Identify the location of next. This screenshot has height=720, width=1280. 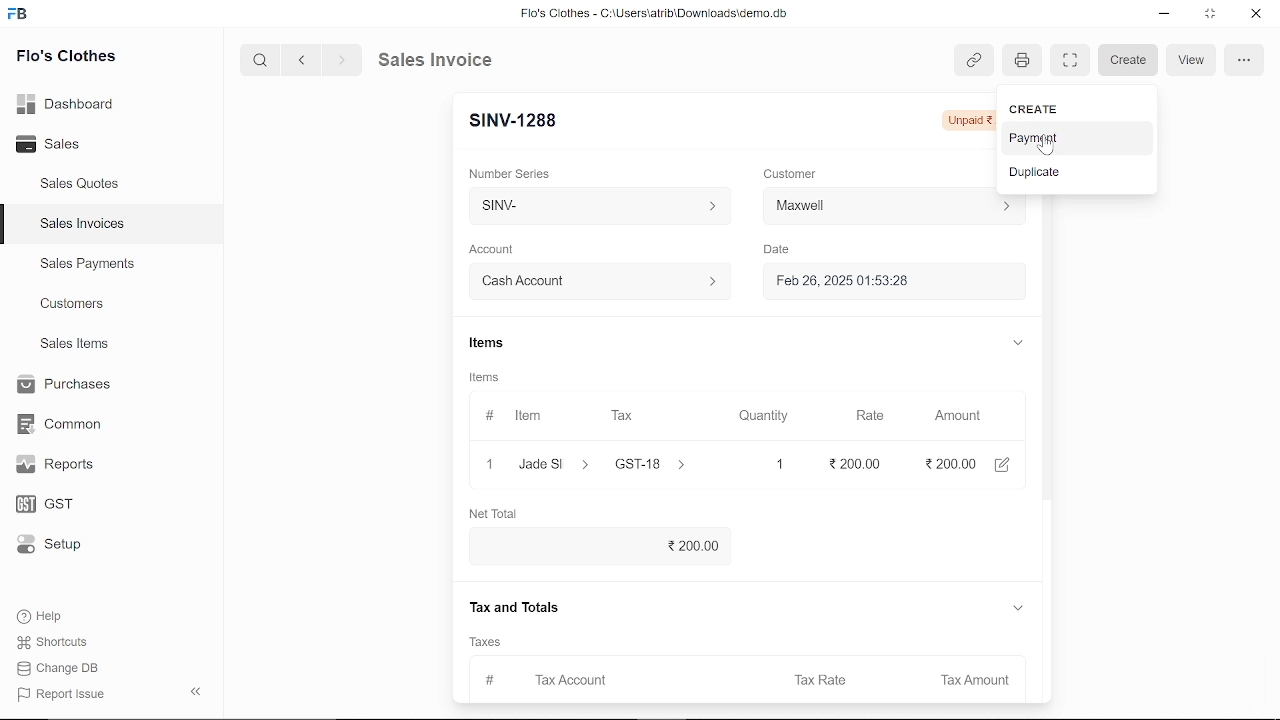
(342, 60).